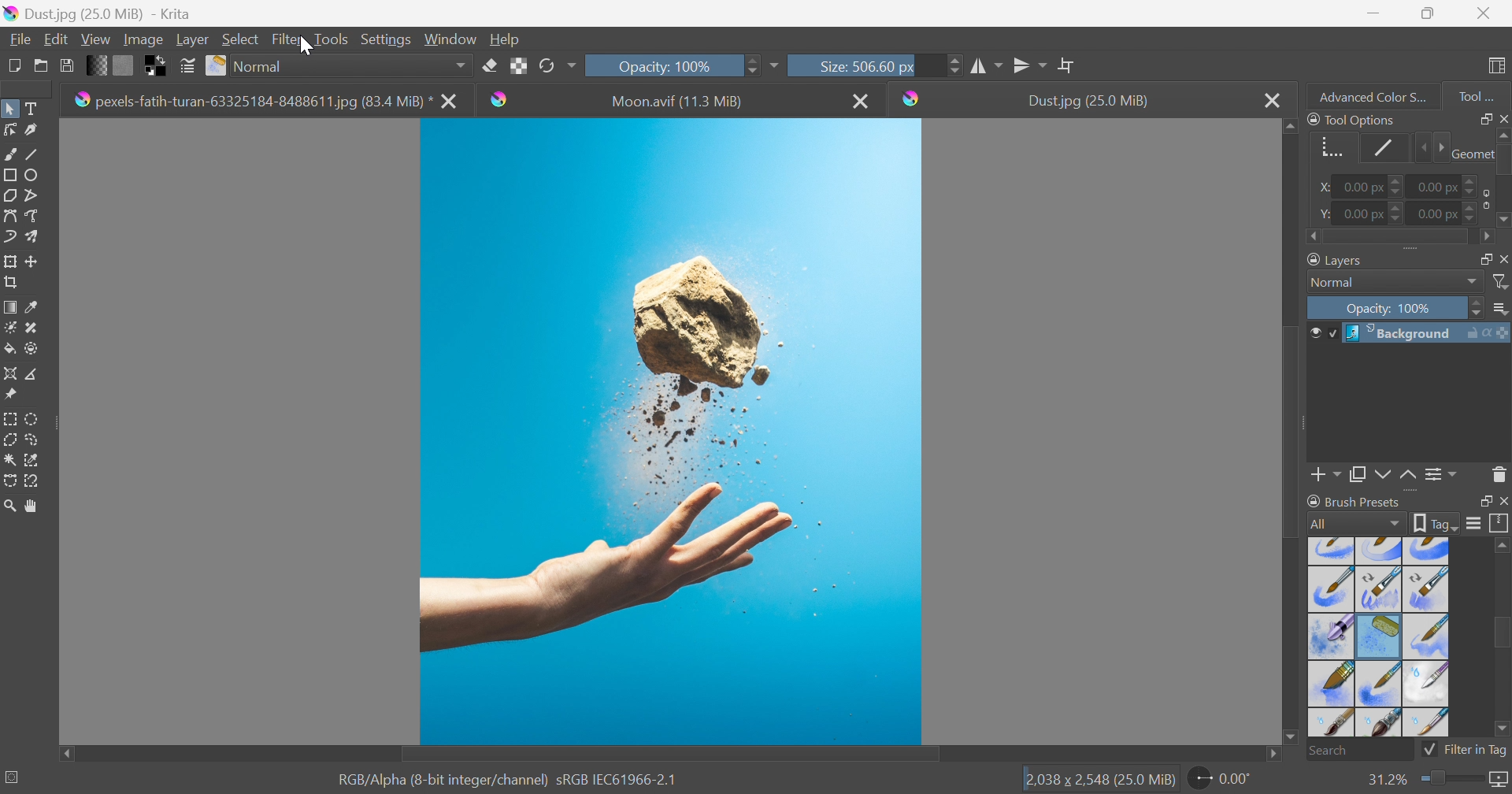 Image resolution: width=1512 pixels, height=794 pixels. I want to click on Edit brush preset, so click(187, 66).